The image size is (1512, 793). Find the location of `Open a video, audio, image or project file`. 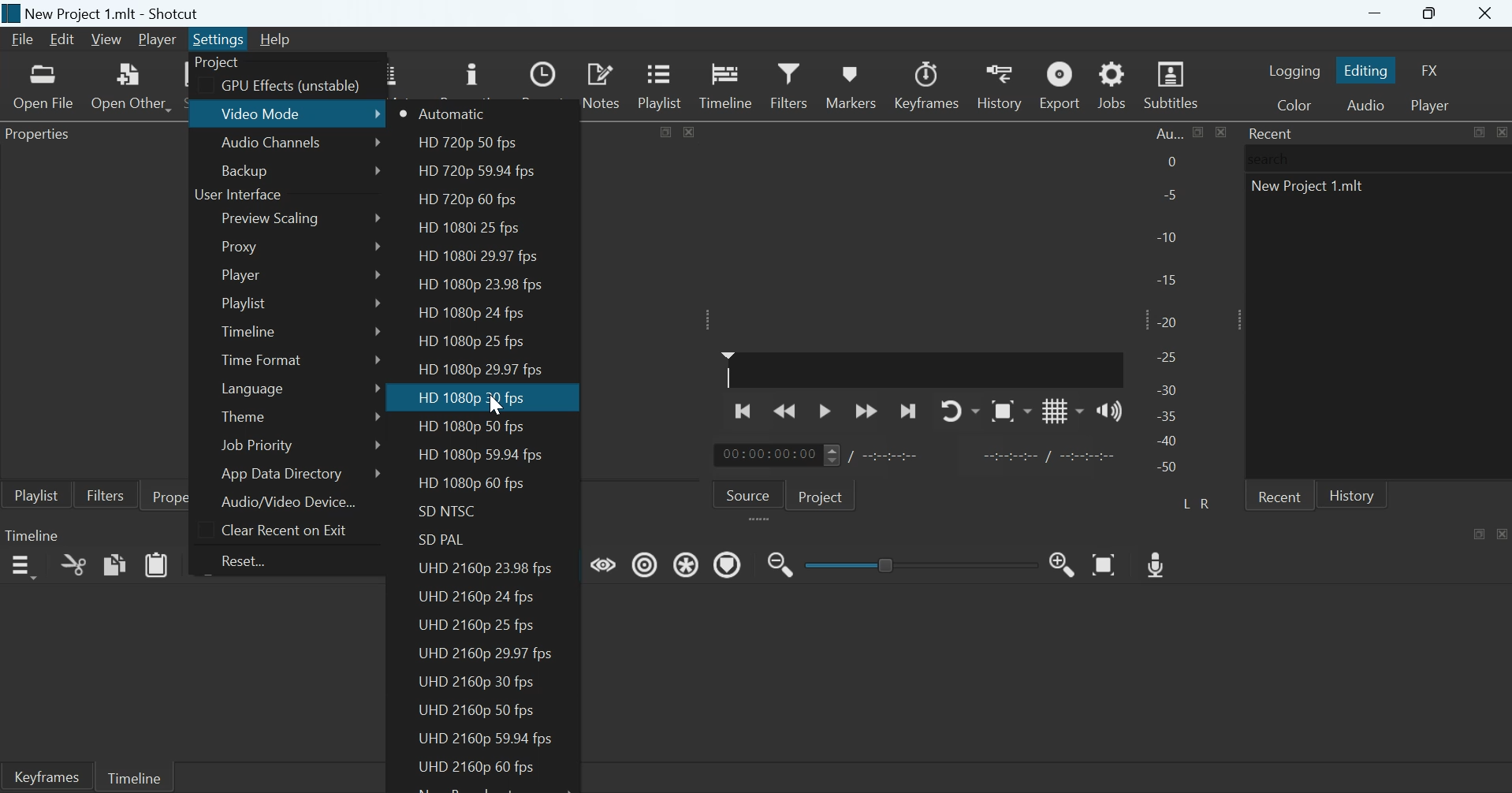

Open a video, audio, image or project file is located at coordinates (44, 87).